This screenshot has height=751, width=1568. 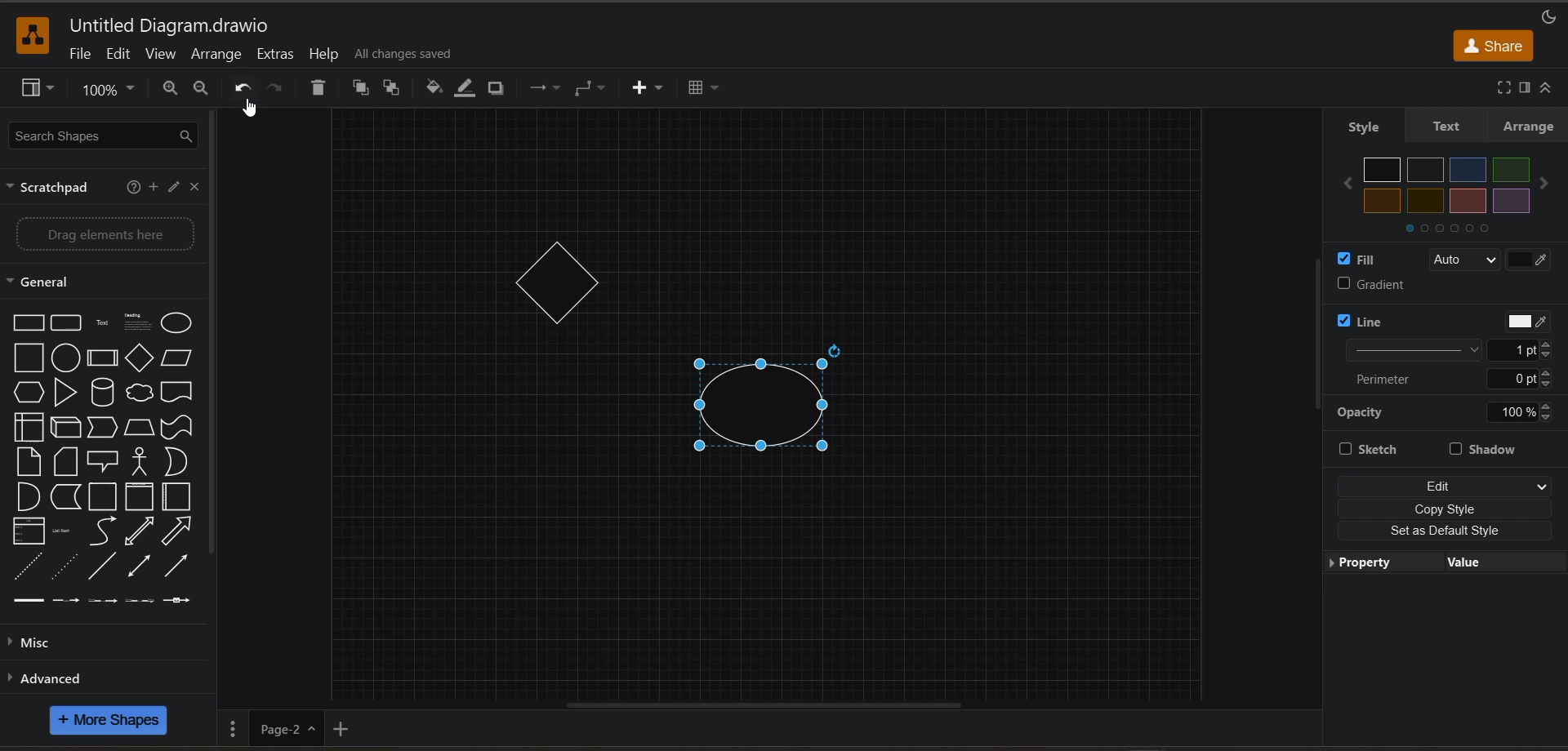 I want to click on Connector with 3 Labels, so click(x=139, y=600).